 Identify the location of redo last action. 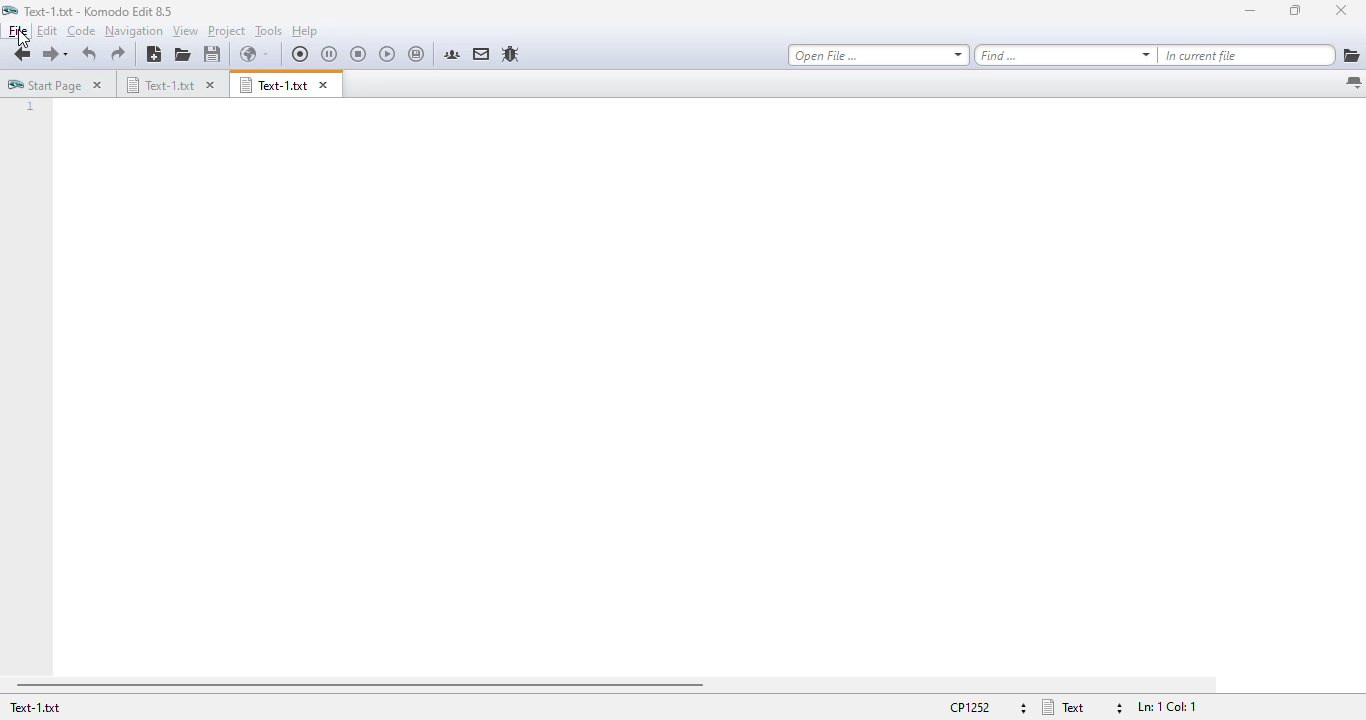
(118, 54).